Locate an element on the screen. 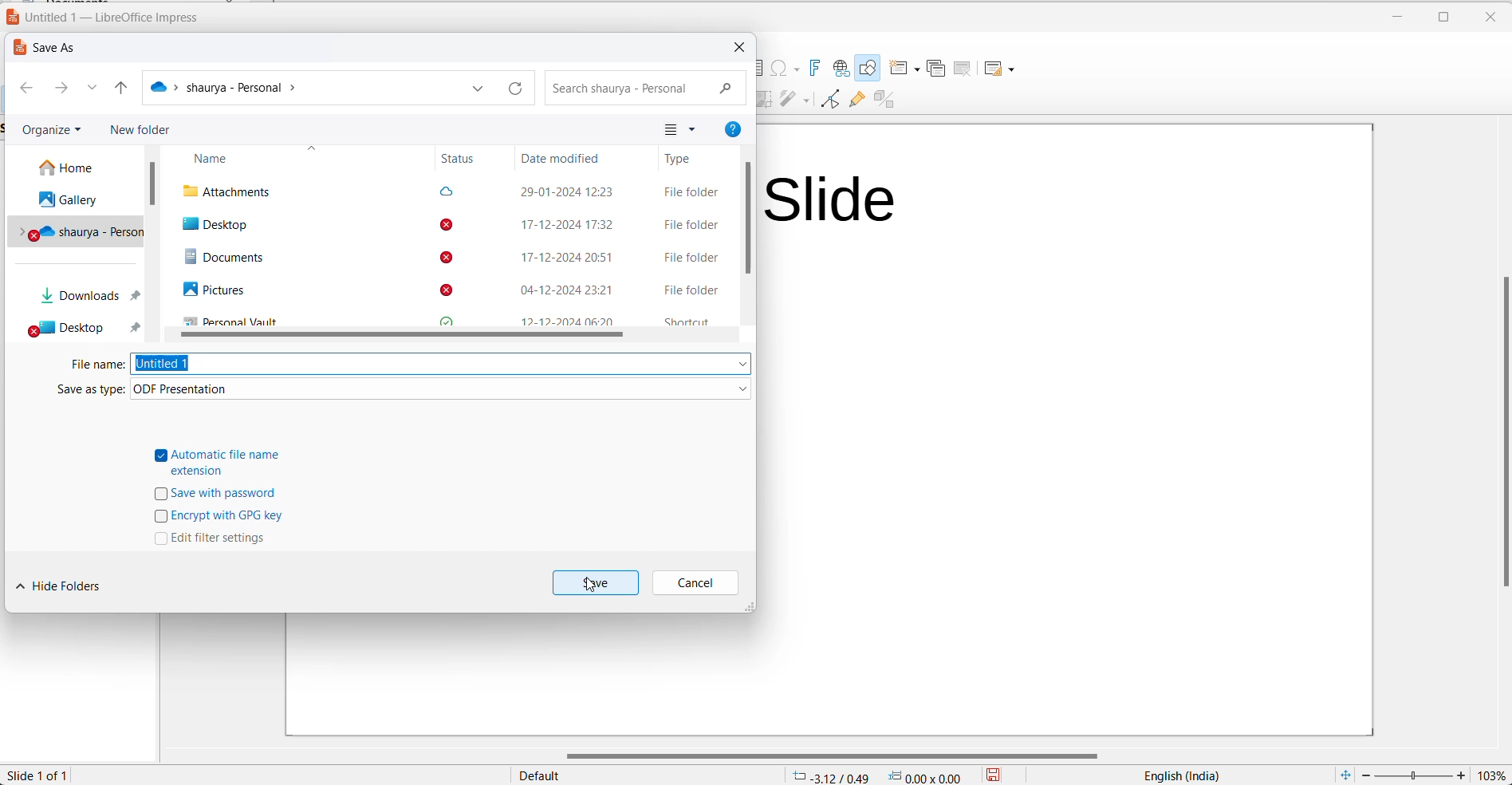 The image size is (1512, 785).  Desktop is located at coordinates (215, 225).